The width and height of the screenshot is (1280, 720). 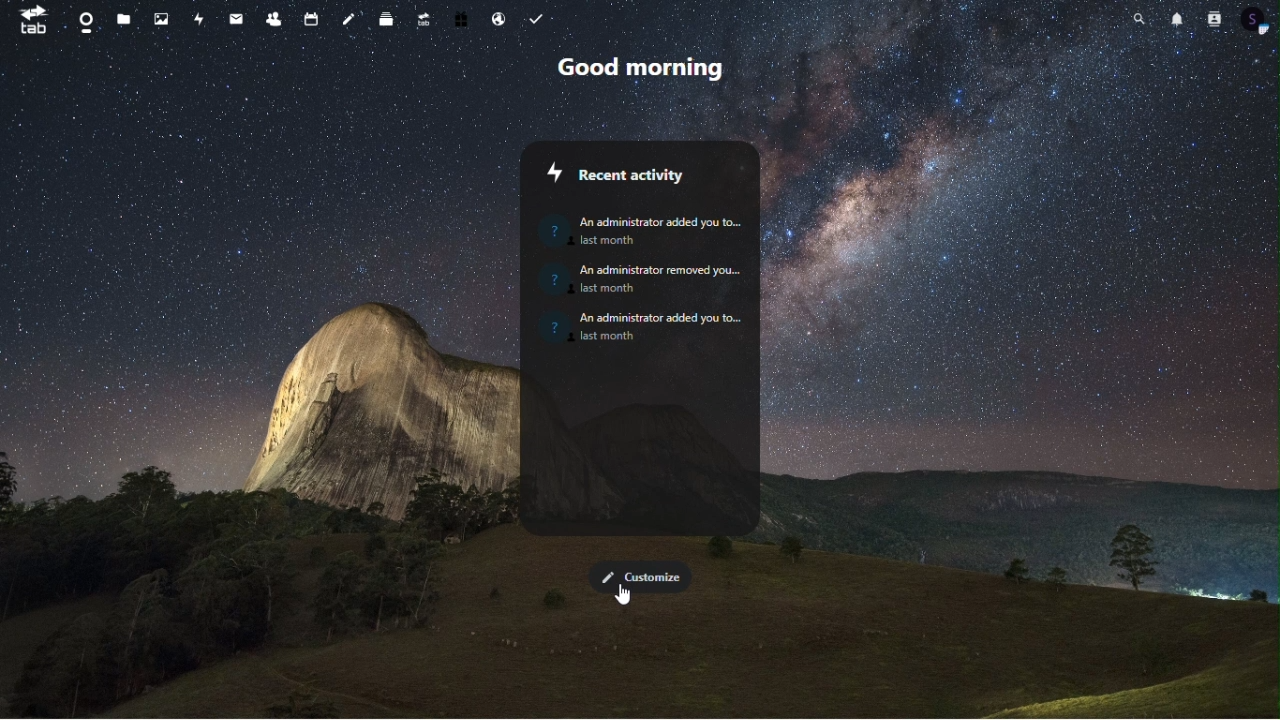 I want to click on notification, so click(x=1175, y=18).